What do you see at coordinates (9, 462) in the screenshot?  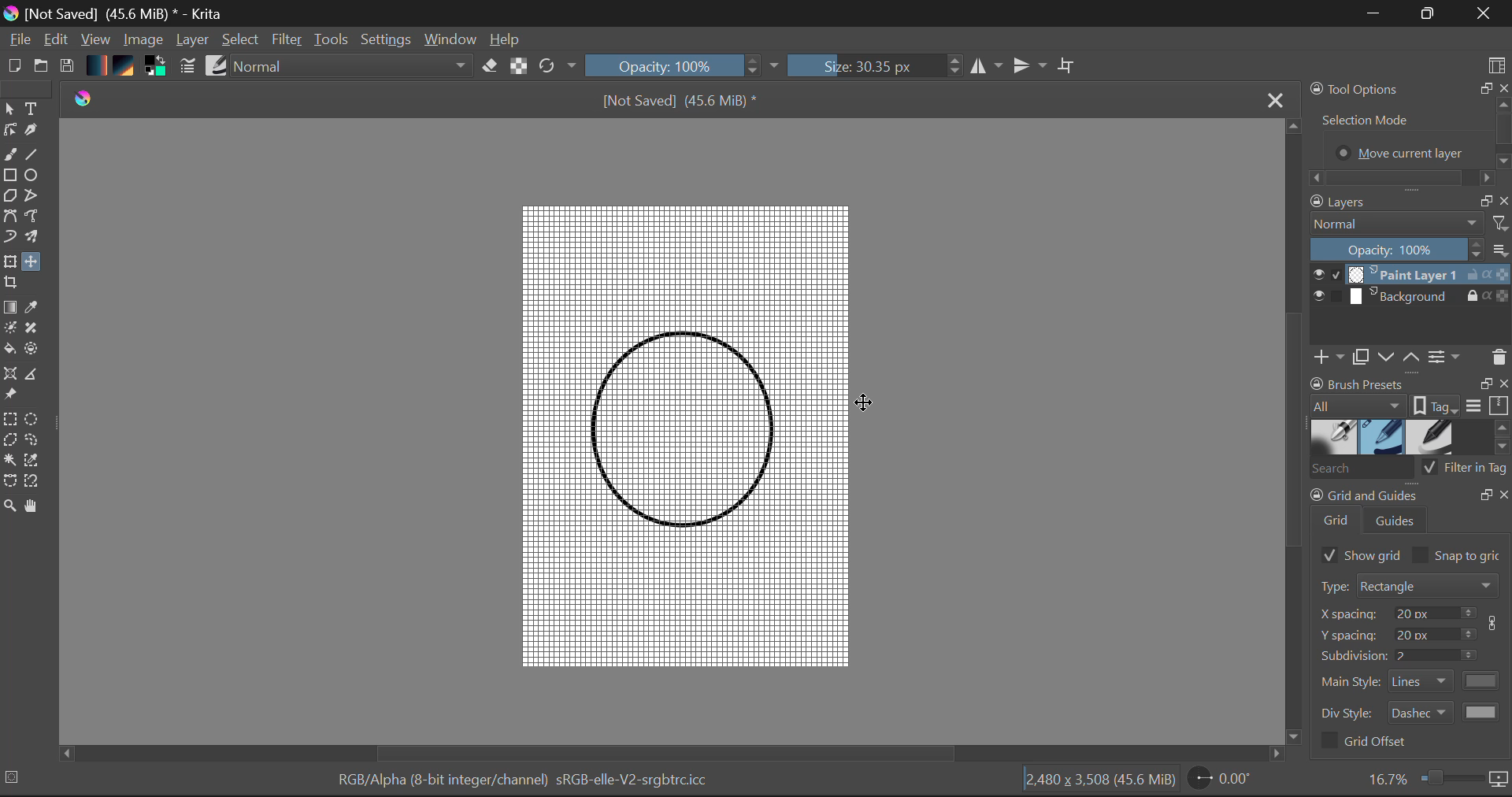 I see `Continuous Selection` at bounding box center [9, 462].